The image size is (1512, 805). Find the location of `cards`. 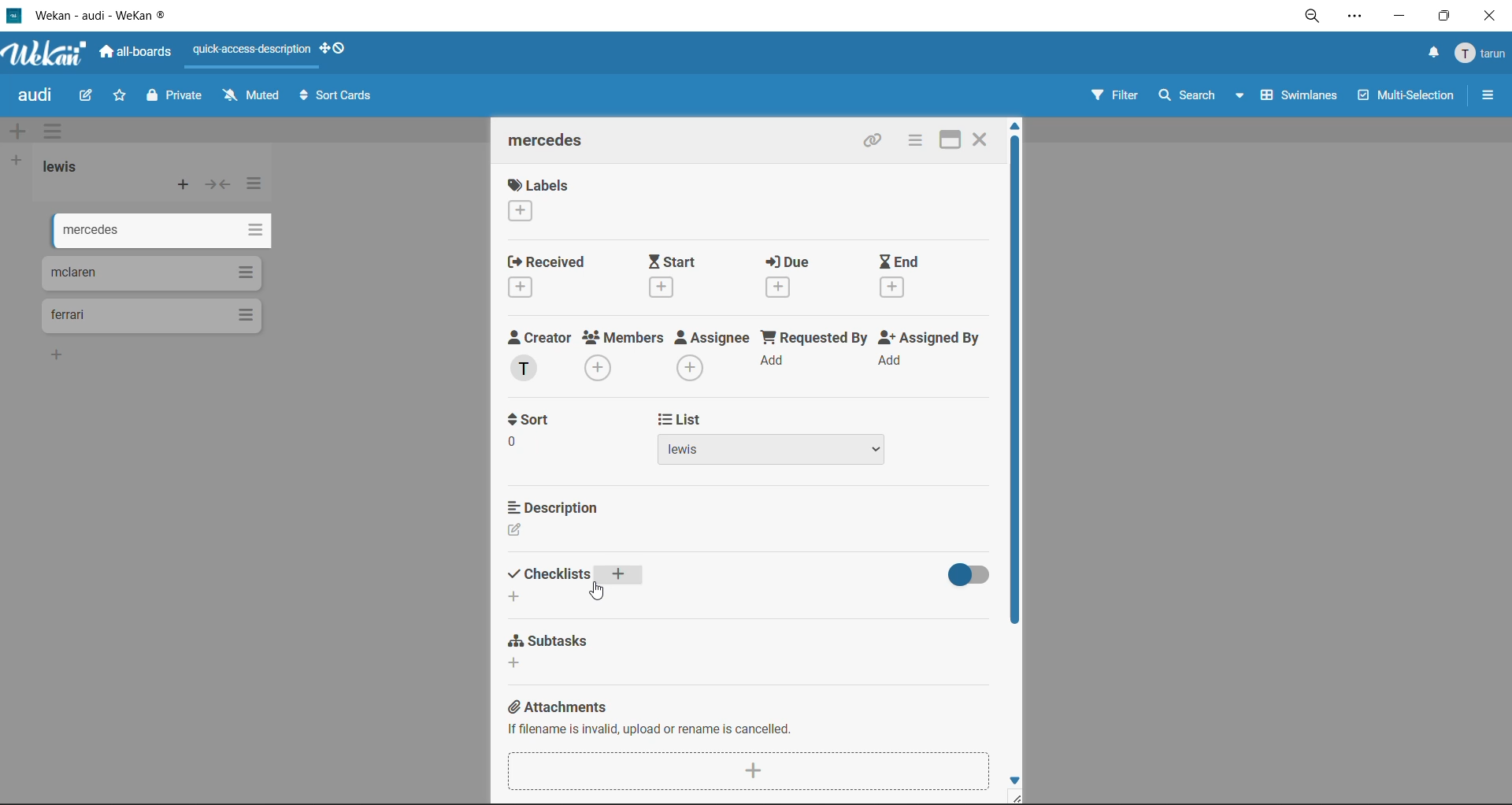

cards is located at coordinates (159, 315).